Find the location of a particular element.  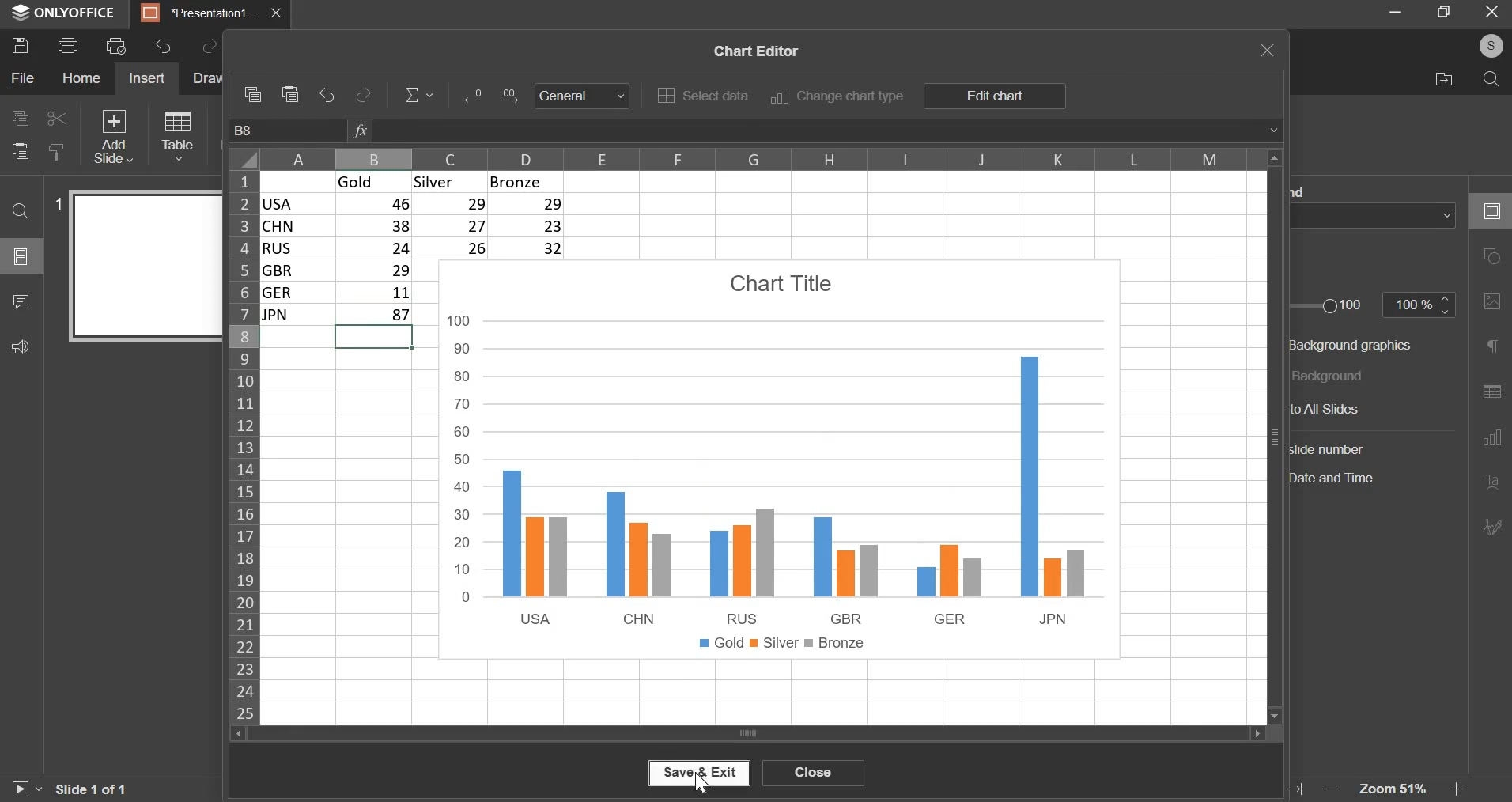

date and time is located at coordinates (1342, 479).